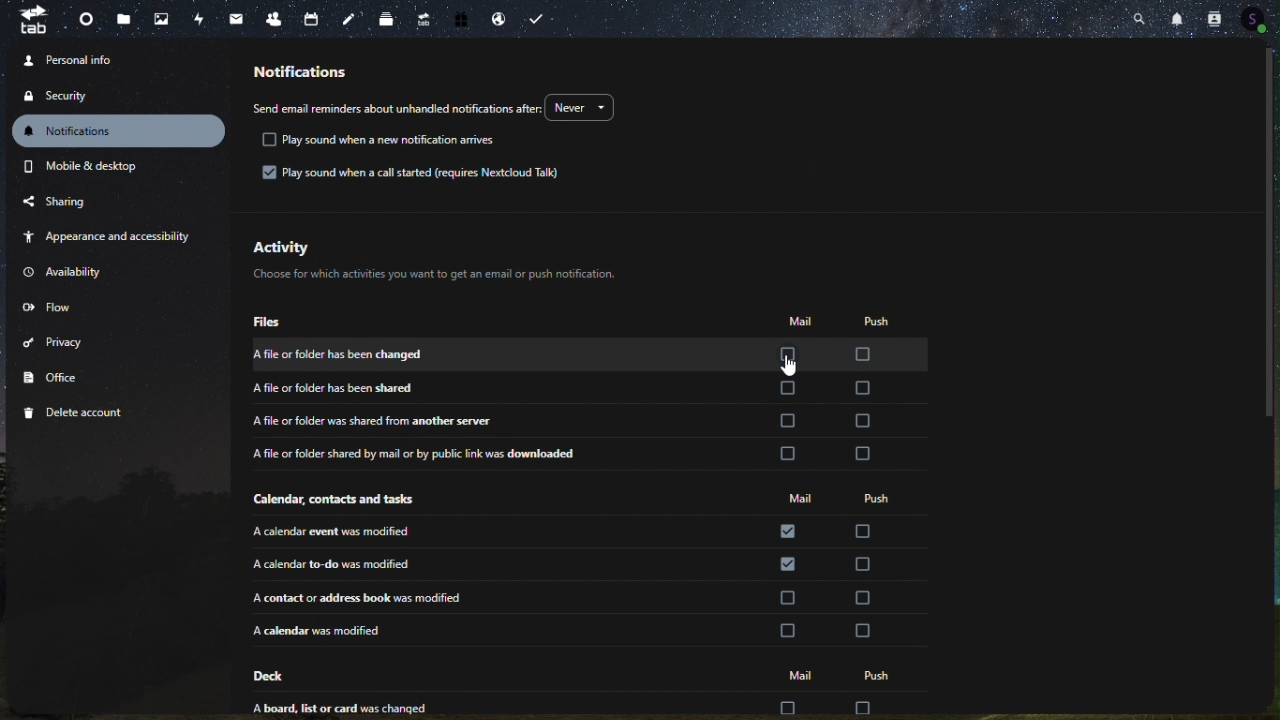 Image resolution: width=1280 pixels, height=720 pixels. Describe the element at coordinates (862, 420) in the screenshot. I see `check box` at that location.